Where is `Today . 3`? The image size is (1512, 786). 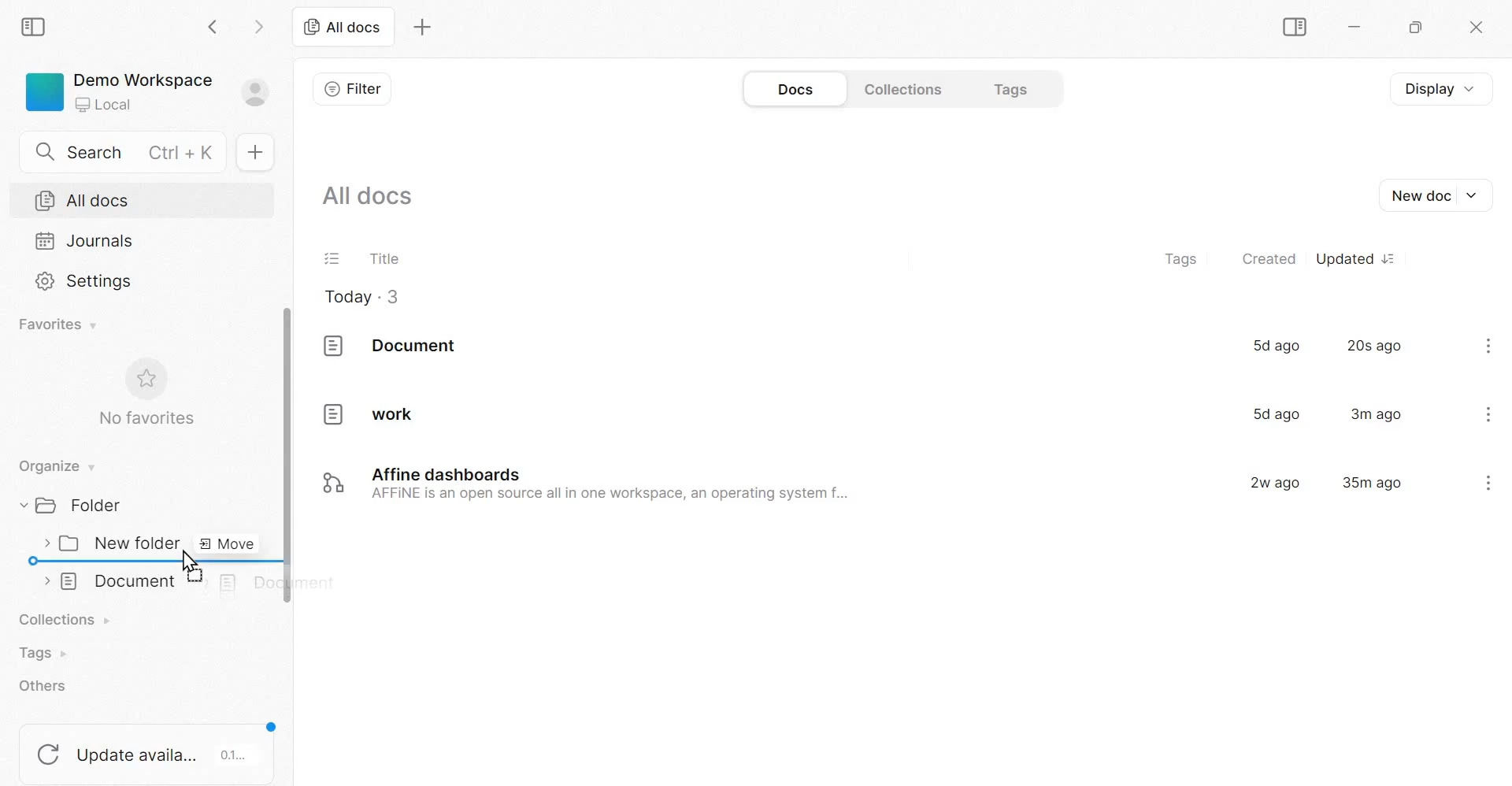 Today . 3 is located at coordinates (362, 297).